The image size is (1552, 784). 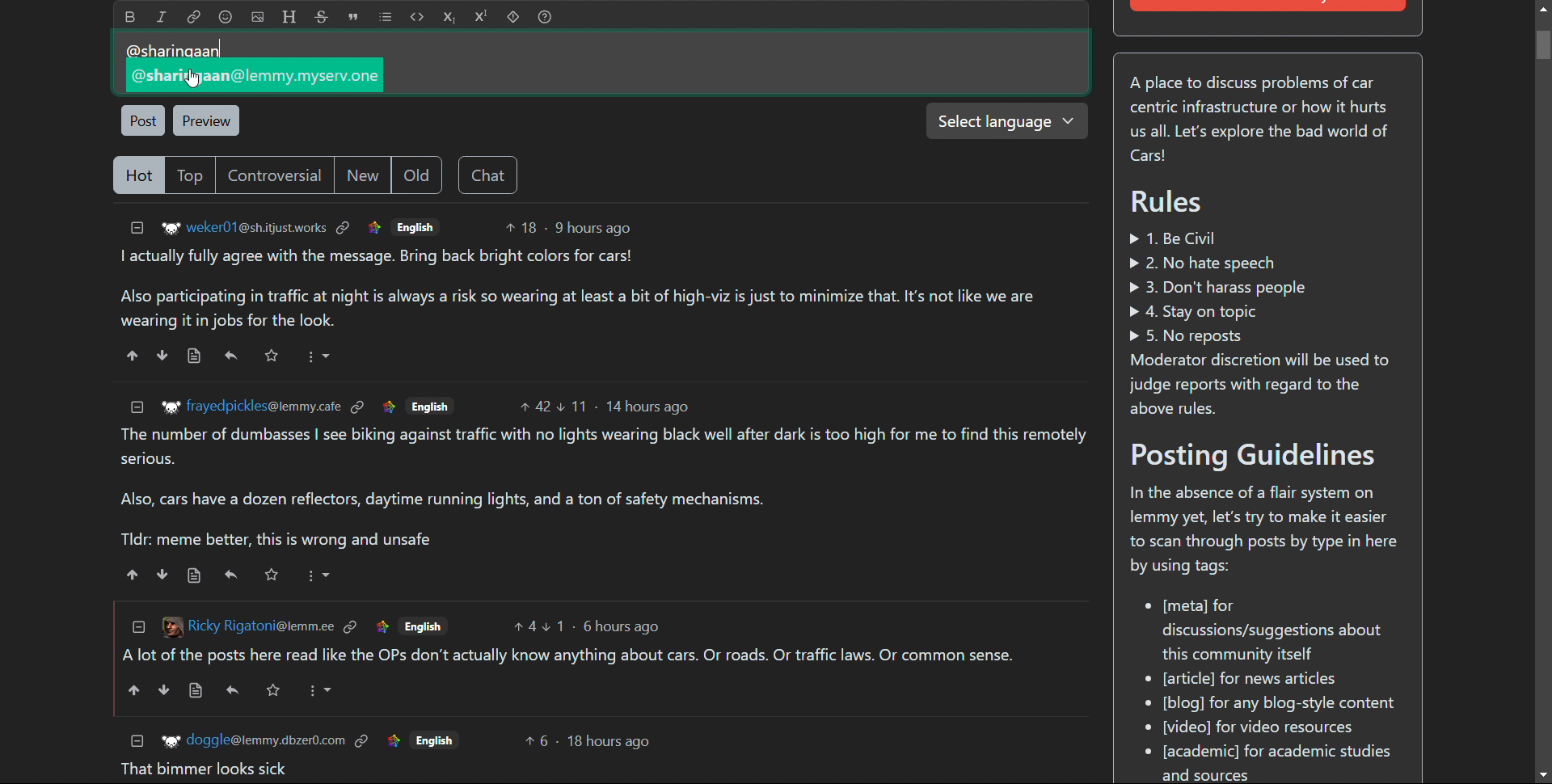 I want to click on link, so click(x=388, y=406).